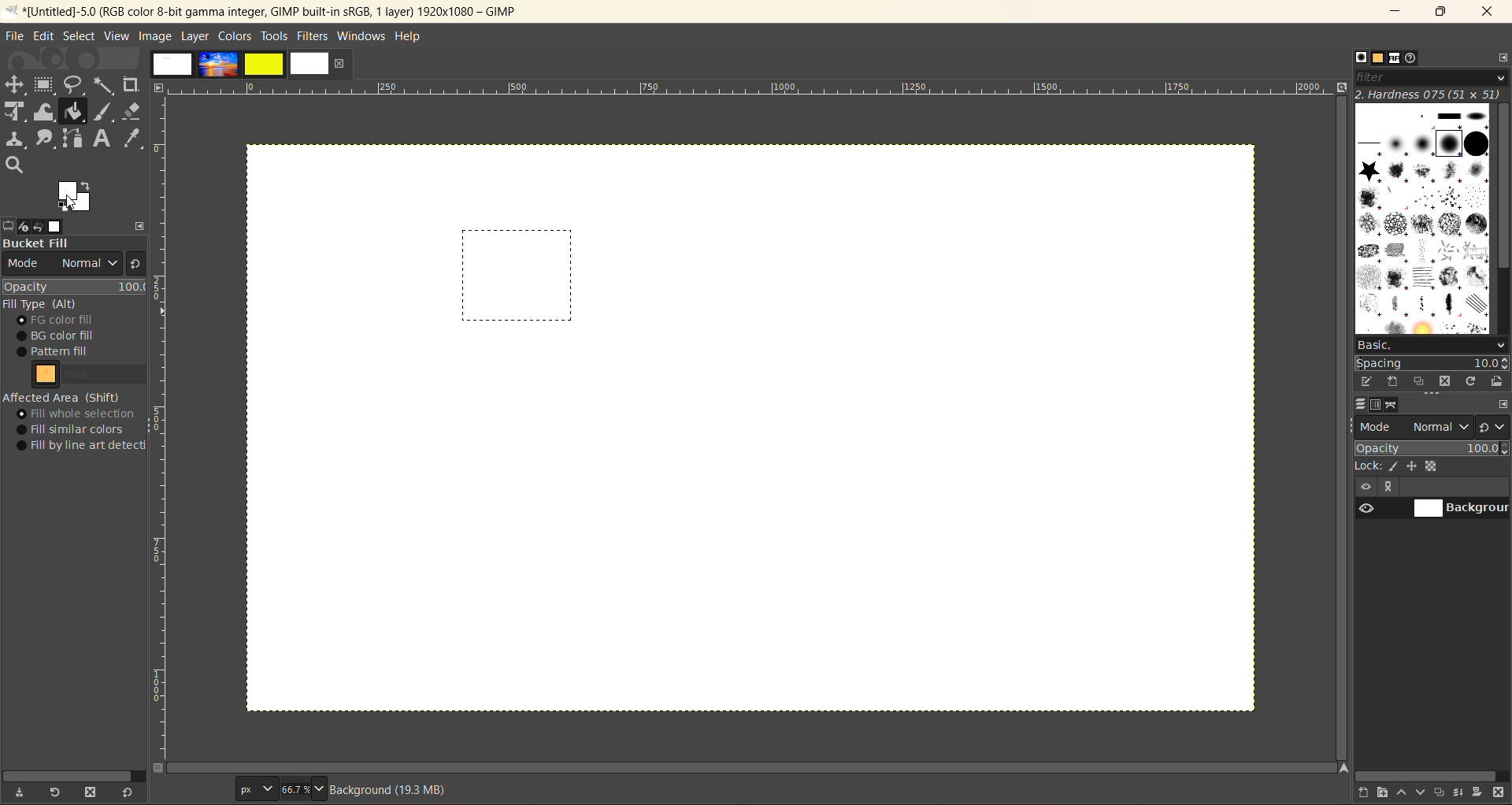 This screenshot has height=805, width=1512. Describe the element at coordinates (281, 788) in the screenshot. I see `font size` at that location.